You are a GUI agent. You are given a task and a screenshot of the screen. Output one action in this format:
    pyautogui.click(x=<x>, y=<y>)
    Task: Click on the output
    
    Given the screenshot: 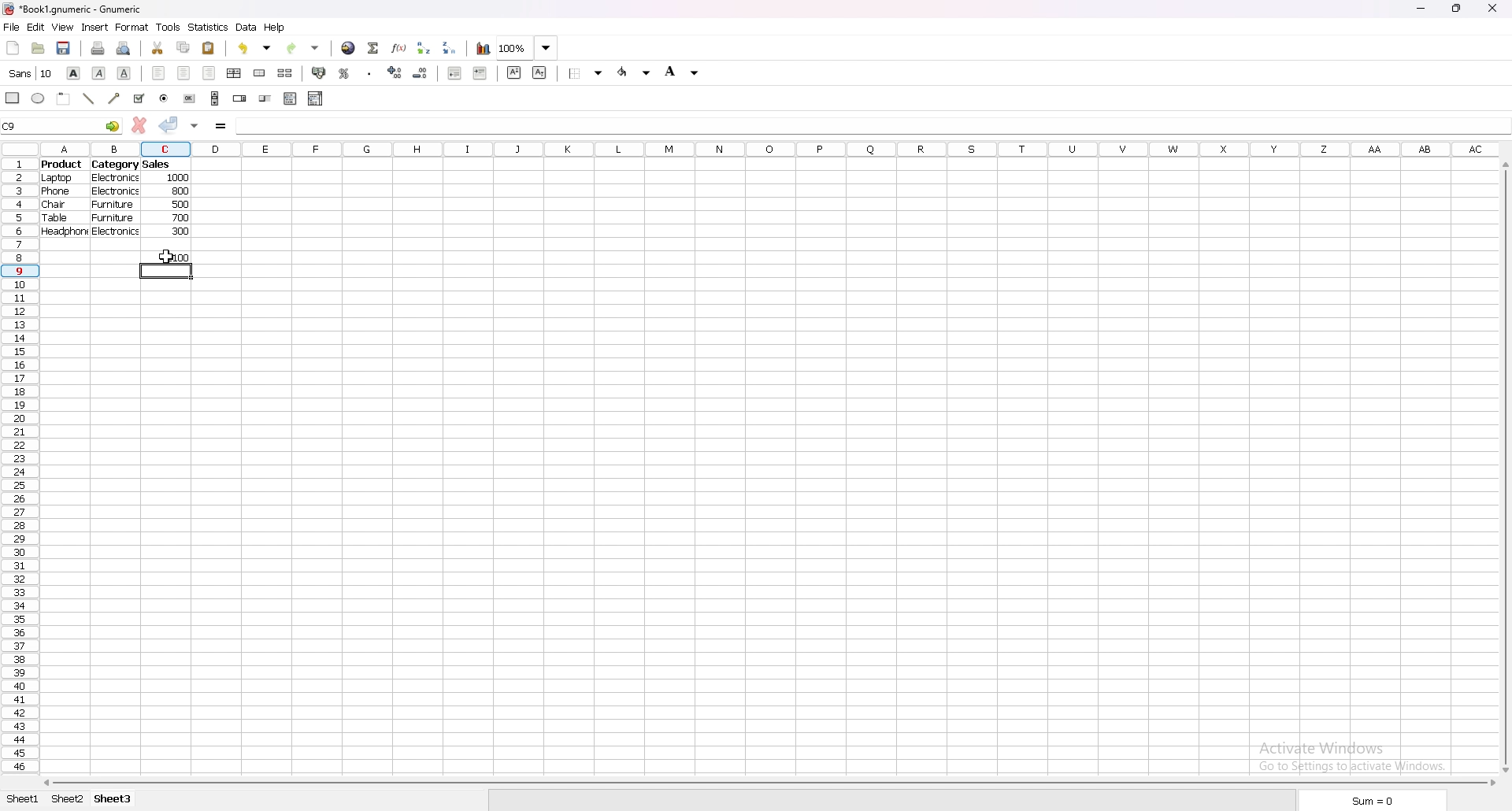 What is the action you would take?
    pyautogui.click(x=165, y=257)
    